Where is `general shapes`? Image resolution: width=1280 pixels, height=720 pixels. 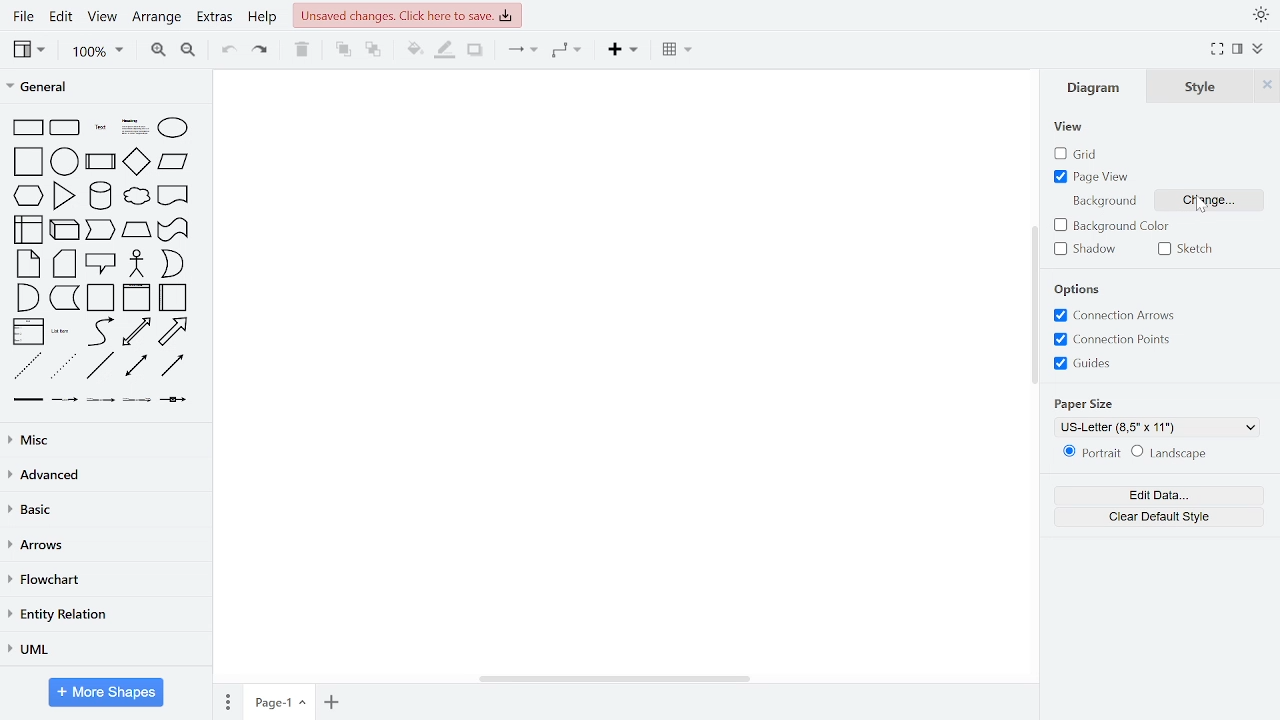 general shapes is located at coordinates (137, 296).